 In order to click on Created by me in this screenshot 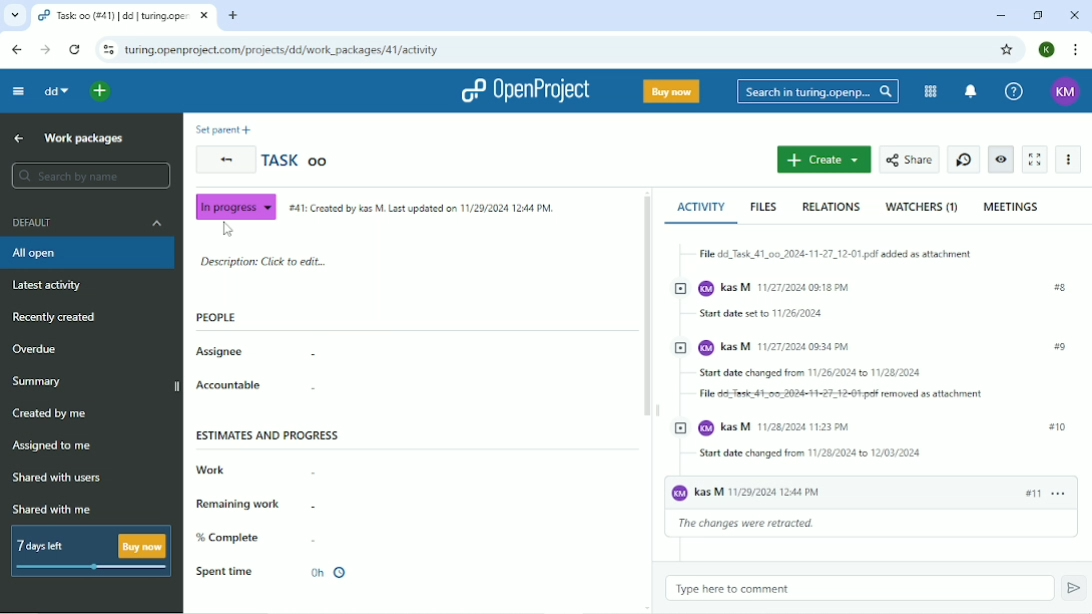, I will do `click(49, 414)`.